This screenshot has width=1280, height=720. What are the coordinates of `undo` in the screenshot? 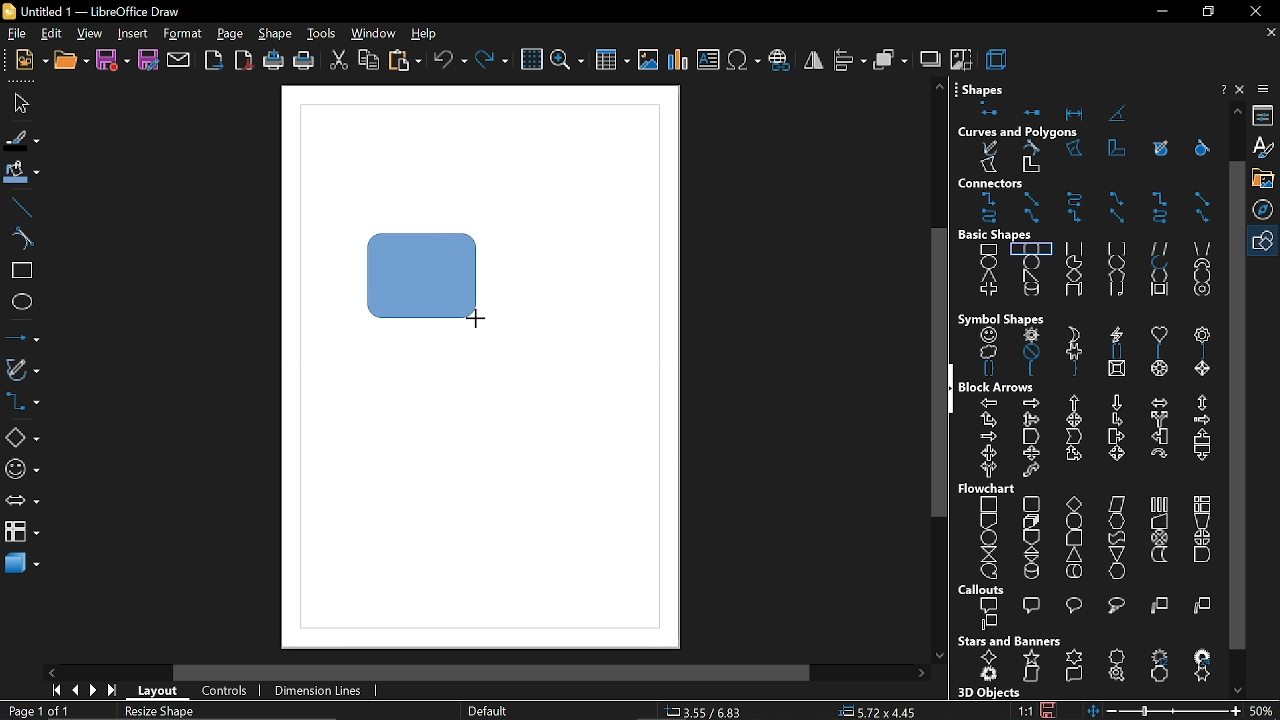 It's located at (450, 62).